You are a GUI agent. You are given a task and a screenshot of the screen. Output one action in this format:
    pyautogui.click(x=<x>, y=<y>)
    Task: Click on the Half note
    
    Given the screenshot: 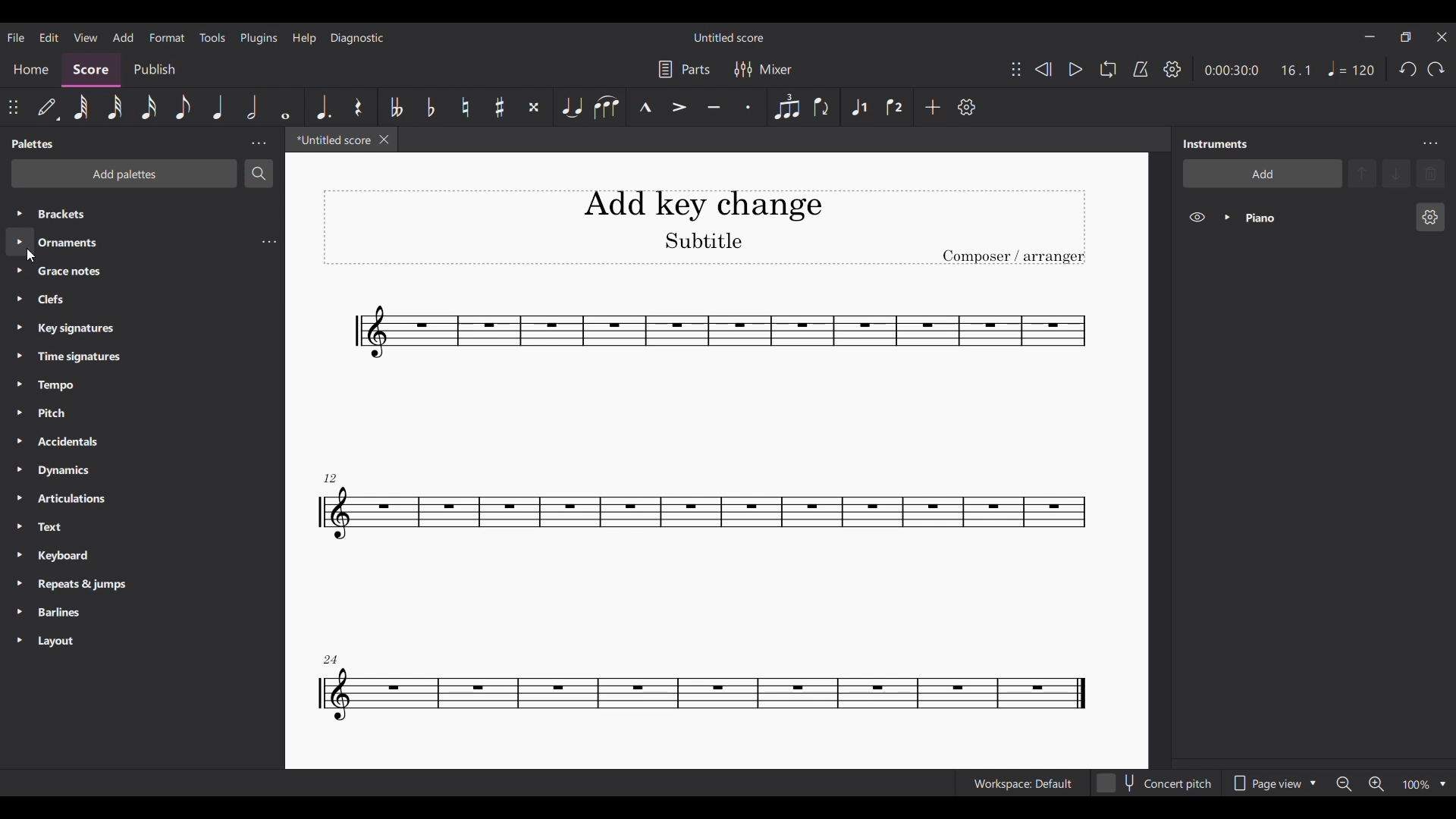 What is the action you would take?
    pyautogui.click(x=253, y=106)
    